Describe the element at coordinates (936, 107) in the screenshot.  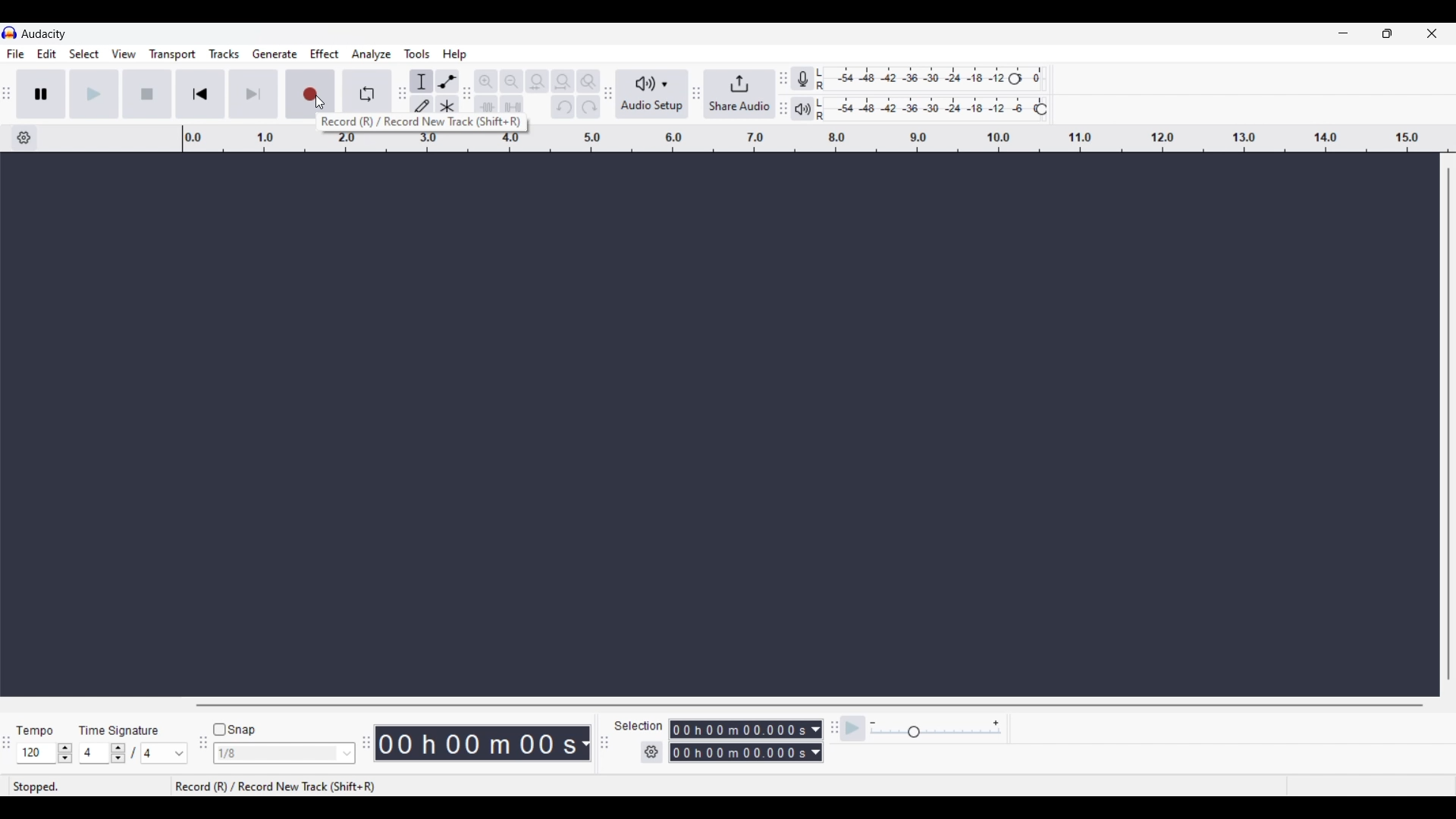
I see `Playback level` at that location.